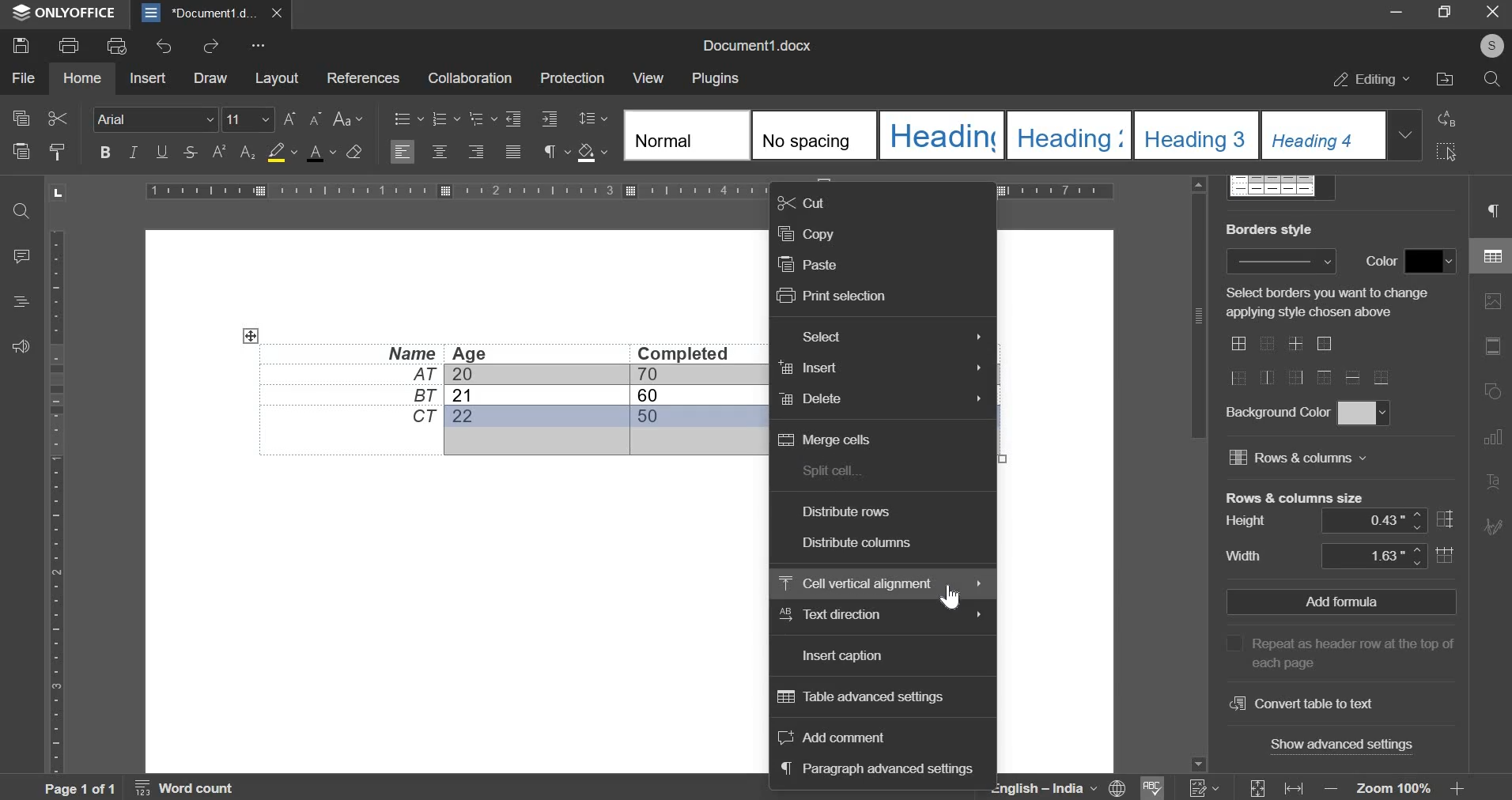 The width and height of the screenshot is (1512, 800). I want to click on cut, so click(57, 116).